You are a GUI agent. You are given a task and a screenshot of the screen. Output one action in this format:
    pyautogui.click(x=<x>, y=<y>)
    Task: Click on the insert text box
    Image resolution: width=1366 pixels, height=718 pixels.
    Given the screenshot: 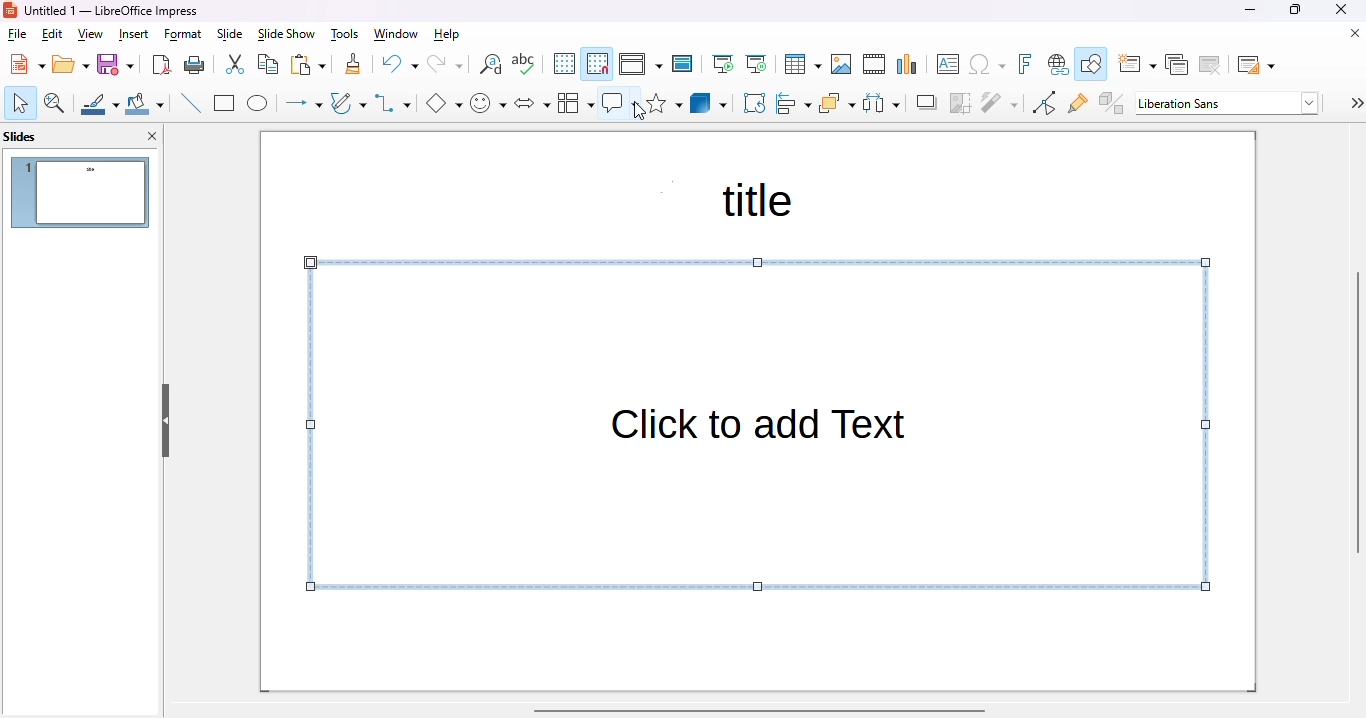 What is the action you would take?
    pyautogui.click(x=946, y=64)
    